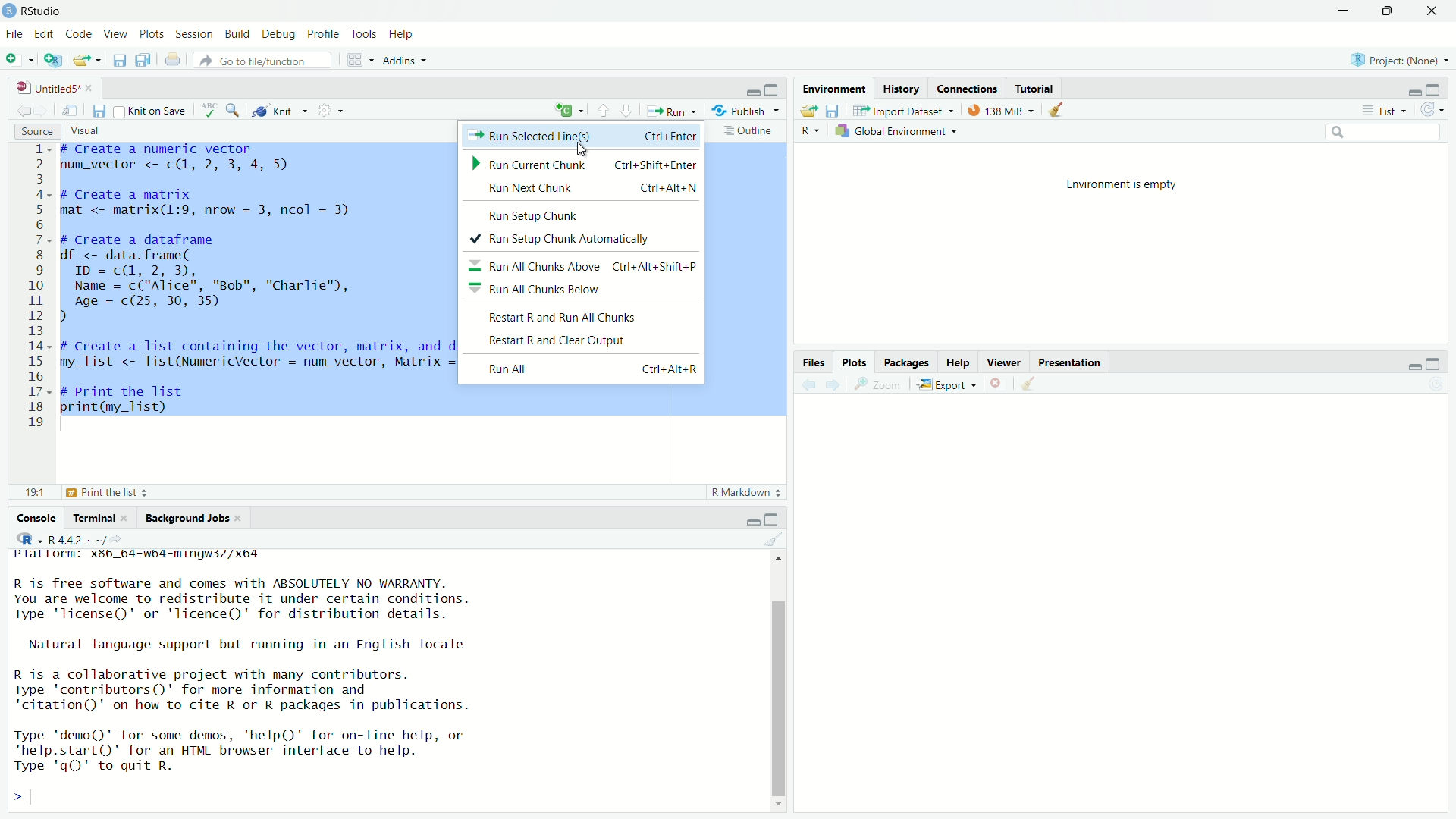  What do you see at coordinates (80, 35) in the screenshot?
I see `Code` at bounding box center [80, 35].